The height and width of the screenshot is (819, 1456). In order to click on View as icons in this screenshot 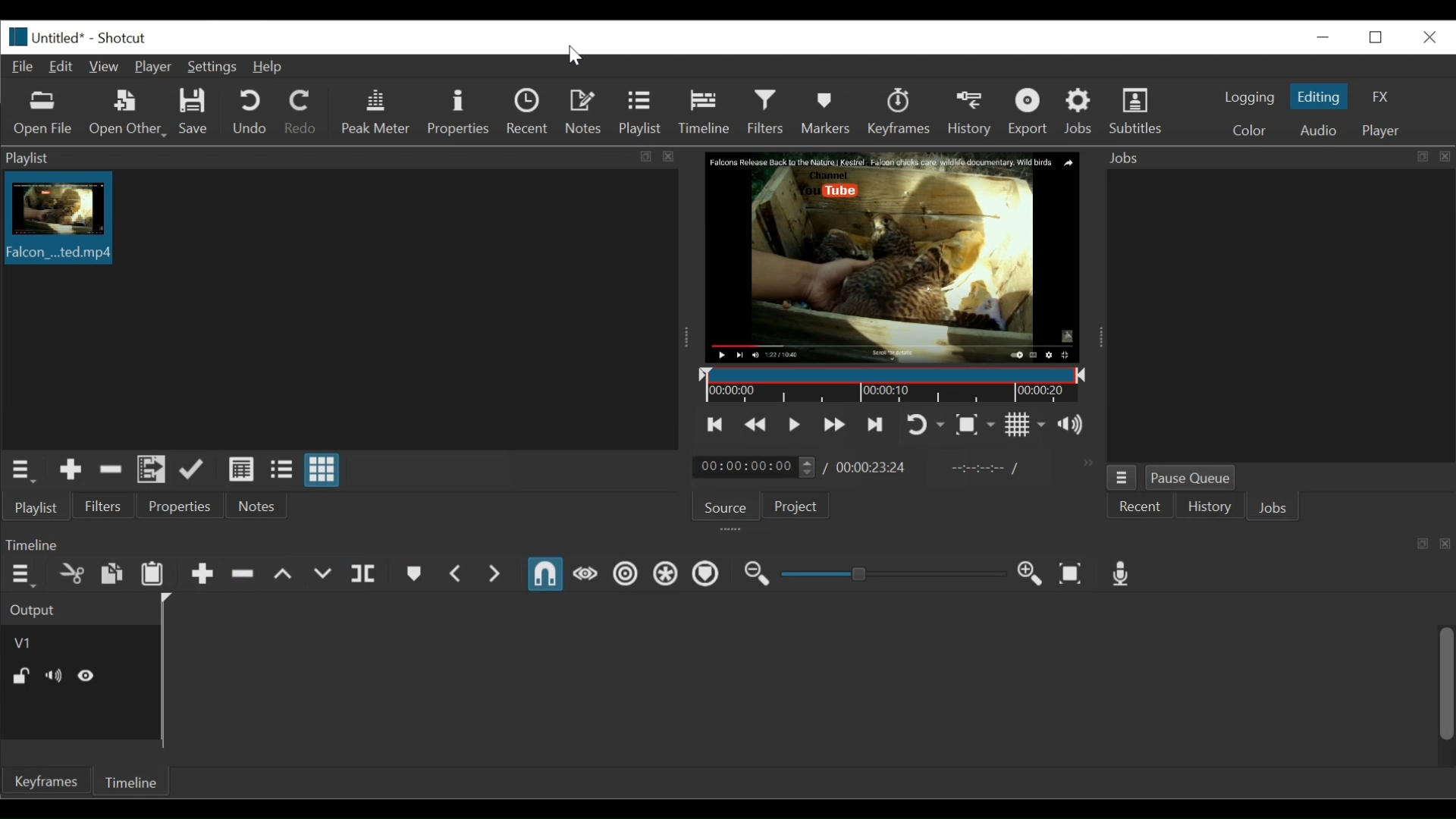, I will do `click(322, 469)`.